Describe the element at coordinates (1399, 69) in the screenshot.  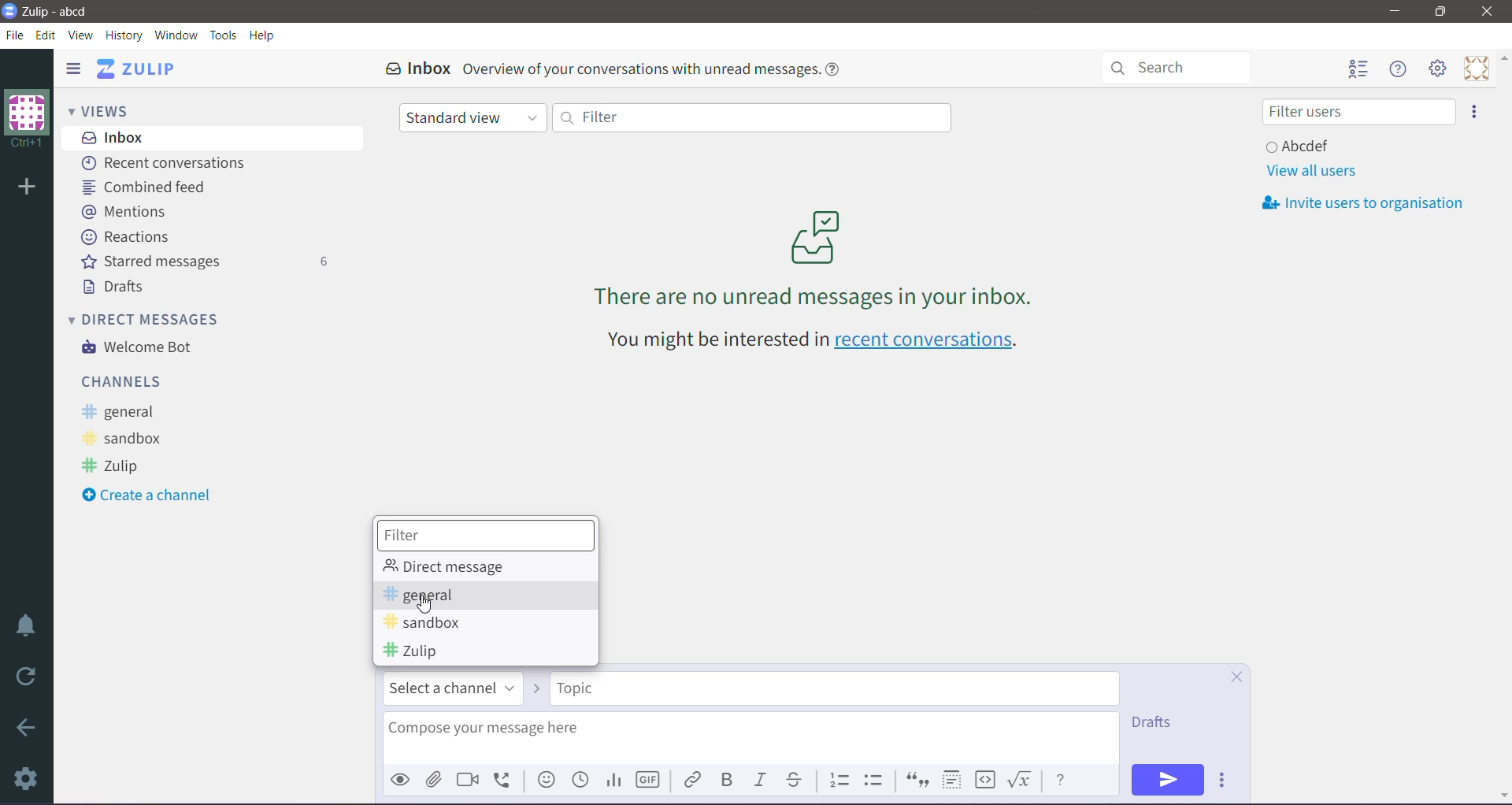
I see `Hide Menu` at that location.